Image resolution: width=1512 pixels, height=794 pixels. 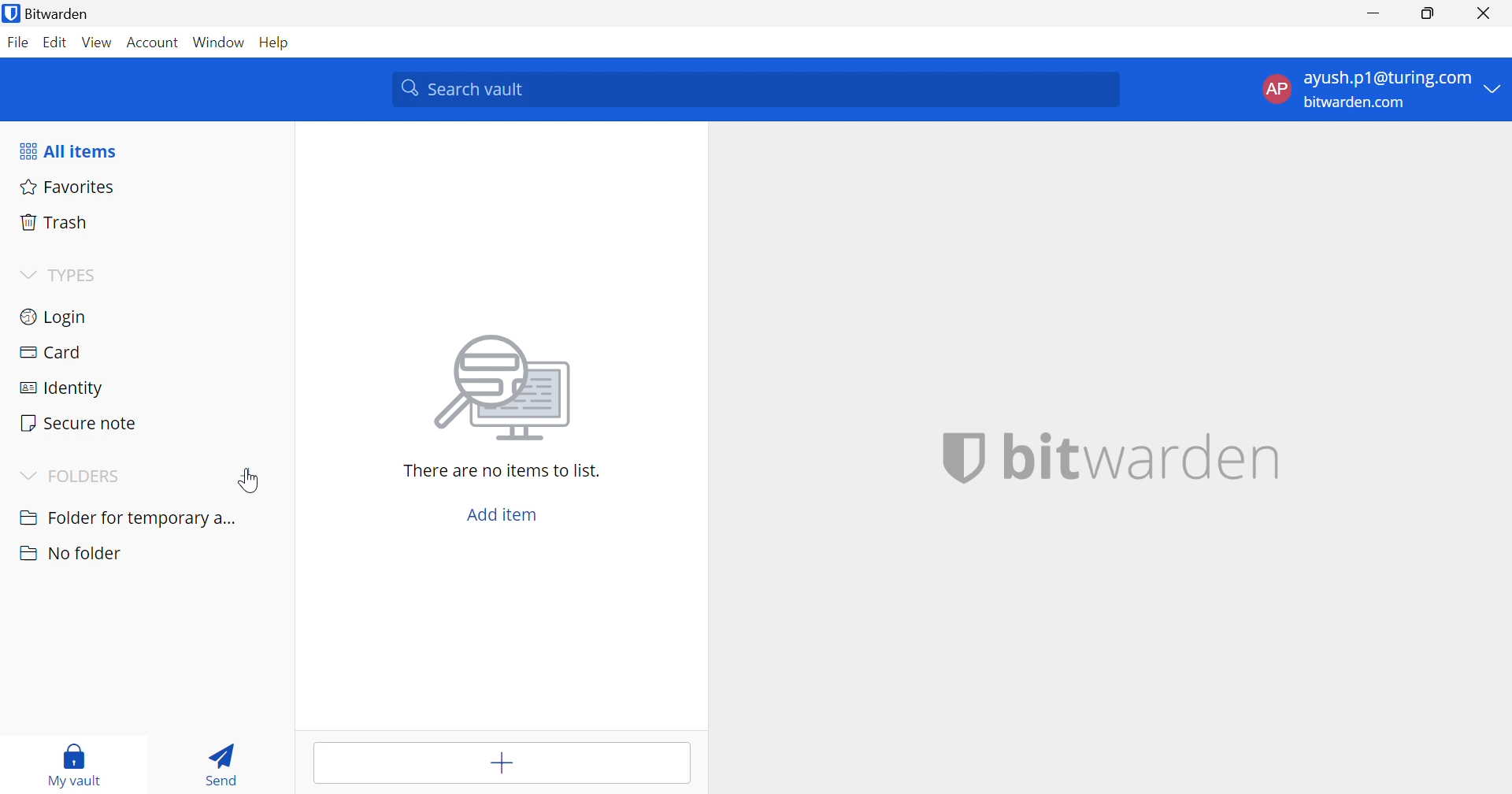 What do you see at coordinates (499, 389) in the screenshot?
I see `image` at bounding box center [499, 389].